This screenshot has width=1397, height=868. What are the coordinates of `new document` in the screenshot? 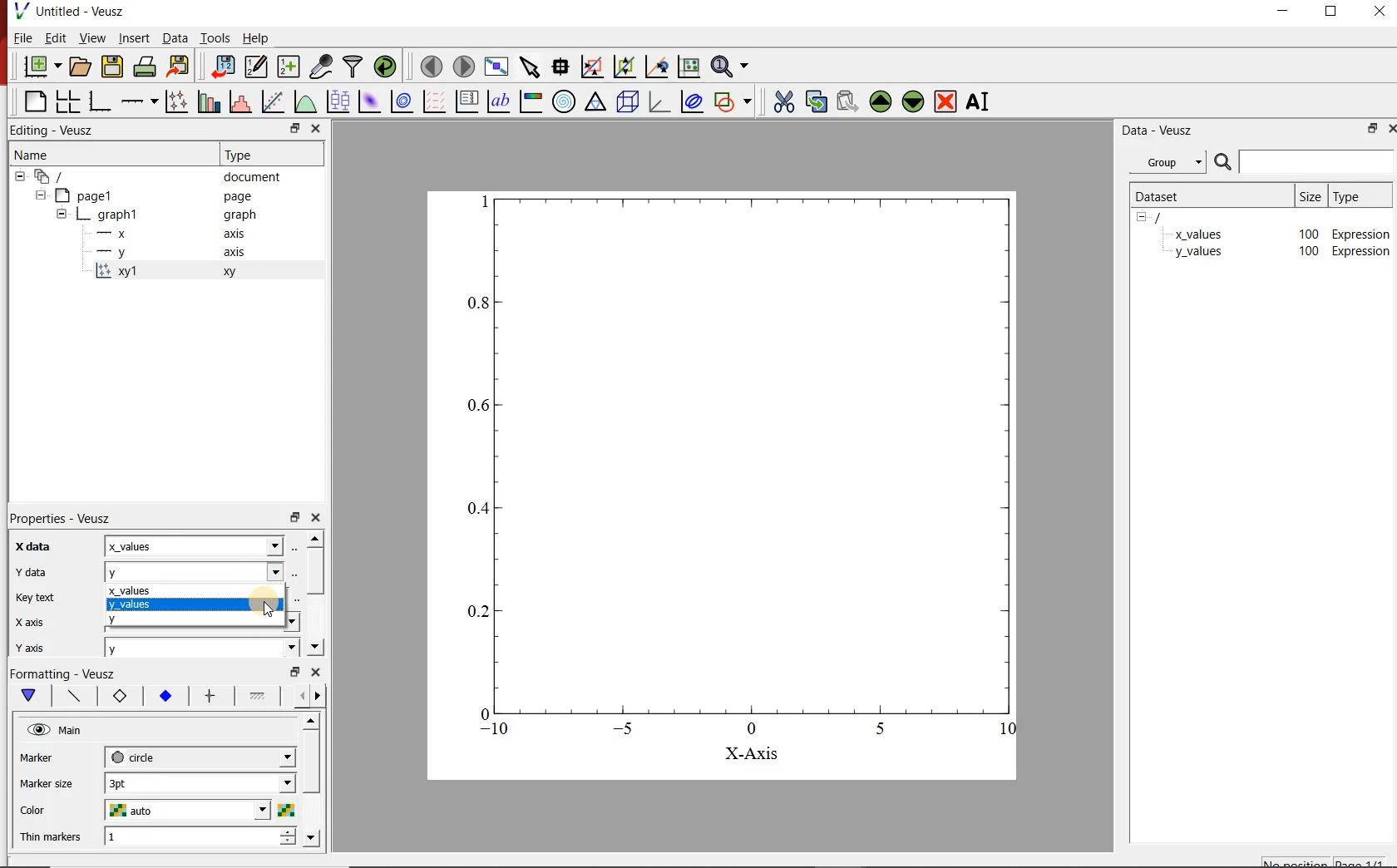 It's located at (42, 65).